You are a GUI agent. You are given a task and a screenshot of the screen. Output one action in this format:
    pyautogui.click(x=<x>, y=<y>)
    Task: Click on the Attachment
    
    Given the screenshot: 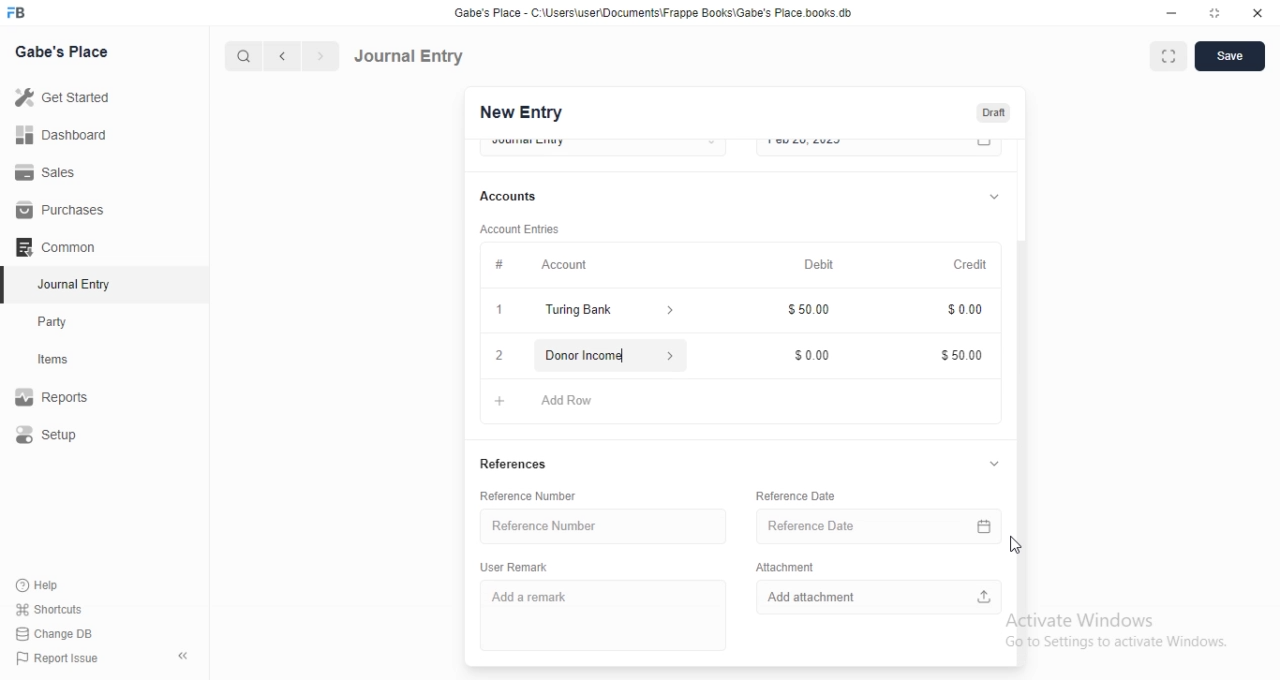 What is the action you would take?
    pyautogui.click(x=785, y=565)
    